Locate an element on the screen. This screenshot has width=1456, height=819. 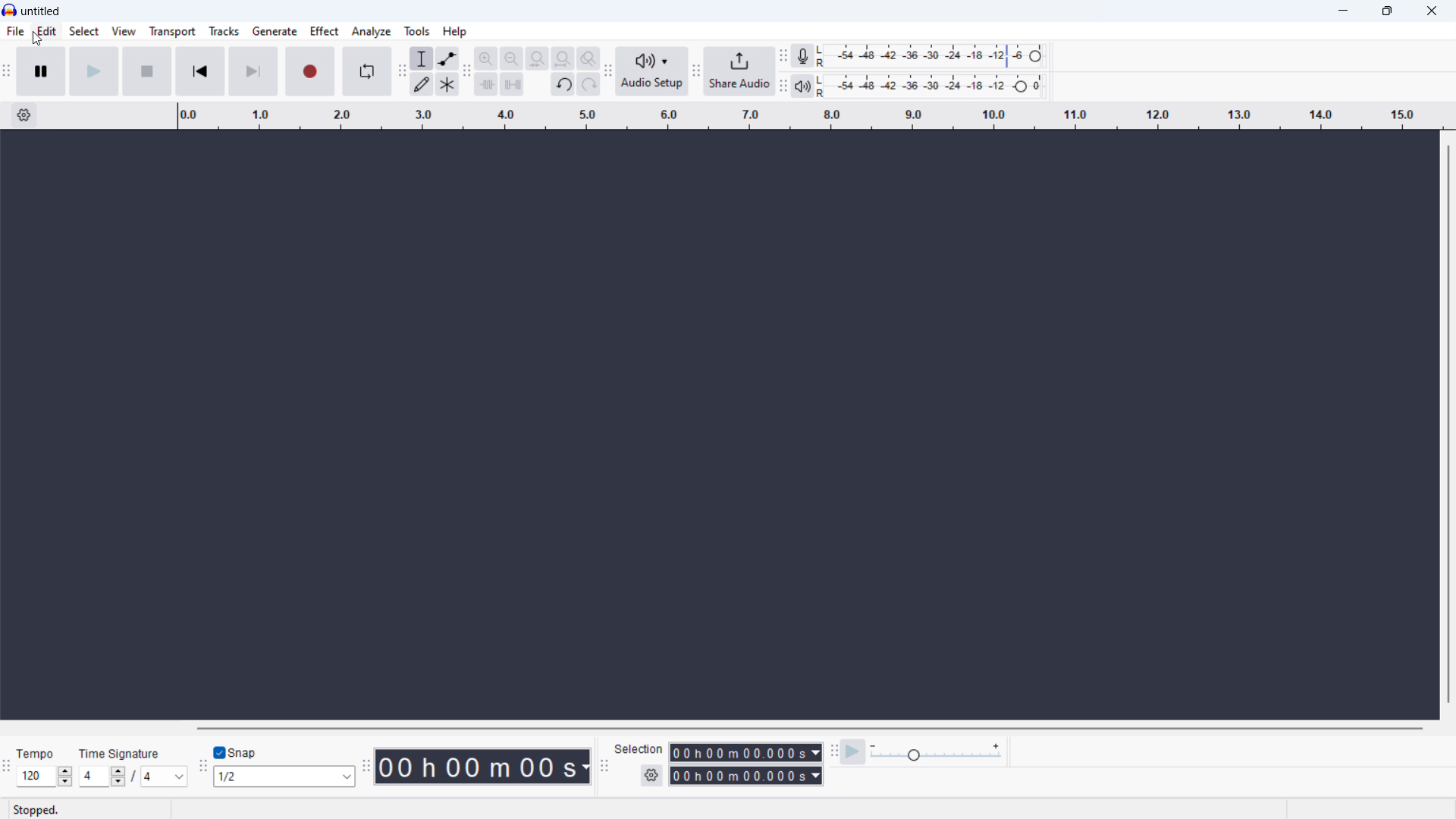
enable loop is located at coordinates (368, 71).